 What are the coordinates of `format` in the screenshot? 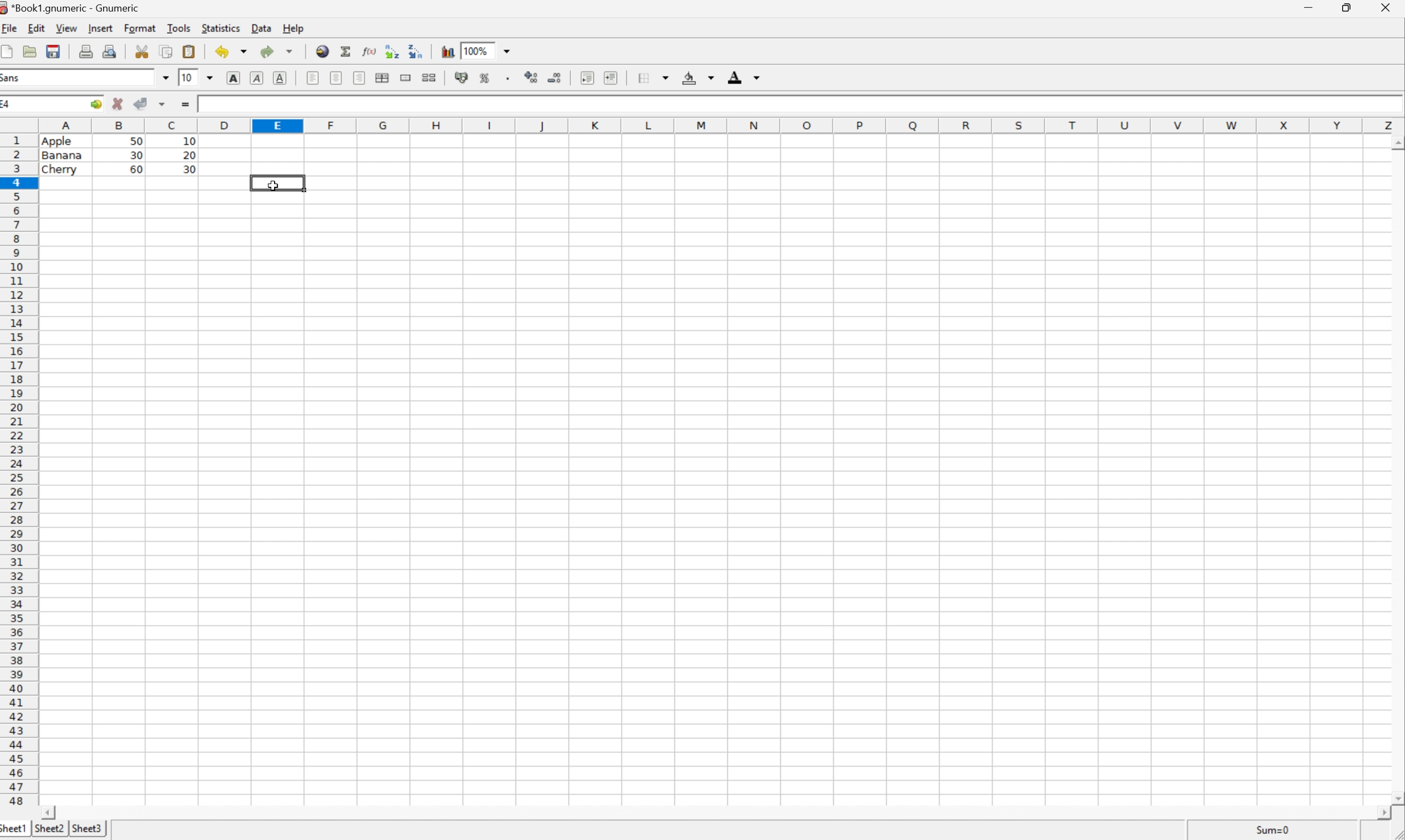 It's located at (140, 28).